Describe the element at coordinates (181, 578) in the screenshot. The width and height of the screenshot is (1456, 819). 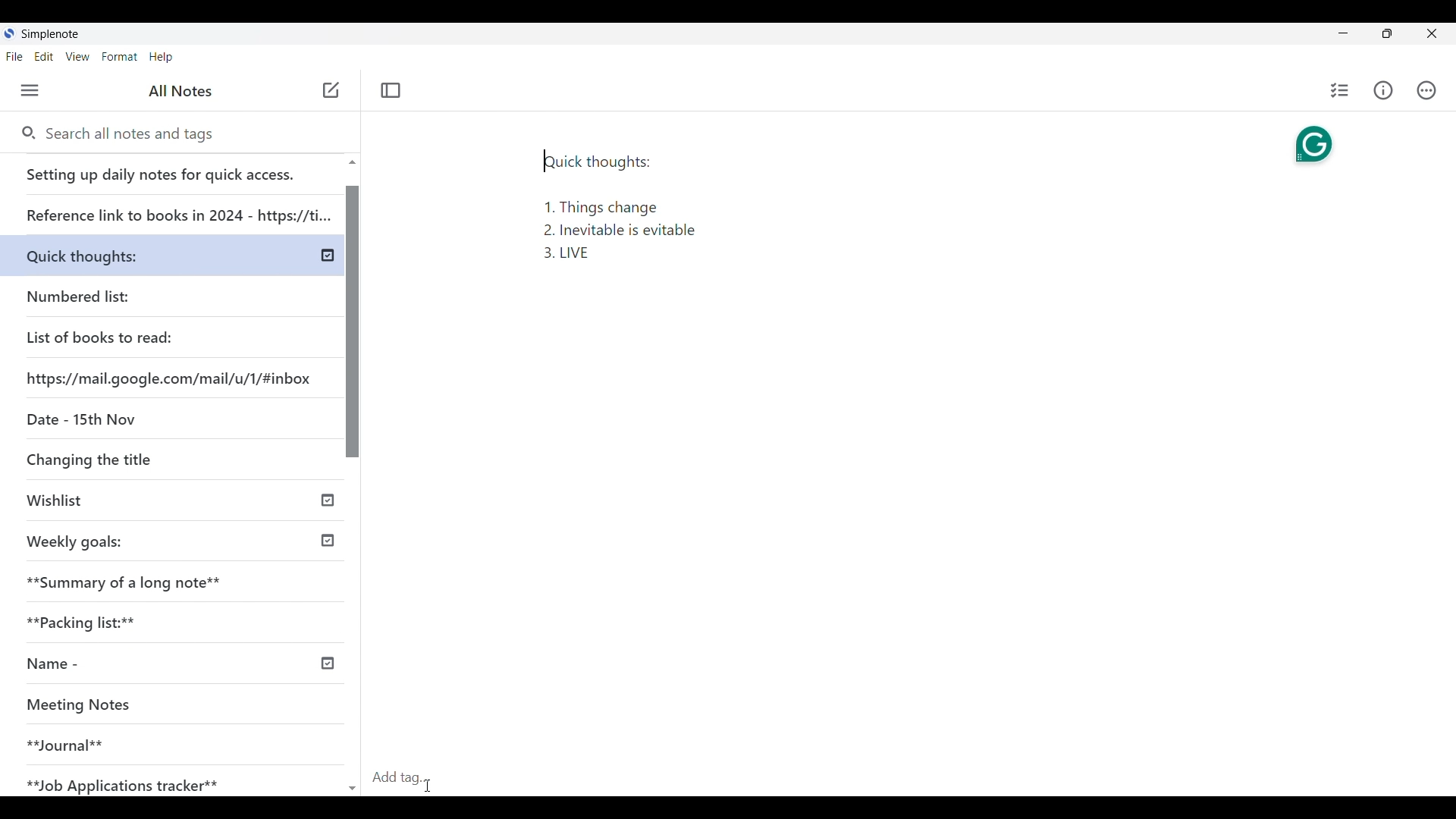
I see `Summary` at that location.